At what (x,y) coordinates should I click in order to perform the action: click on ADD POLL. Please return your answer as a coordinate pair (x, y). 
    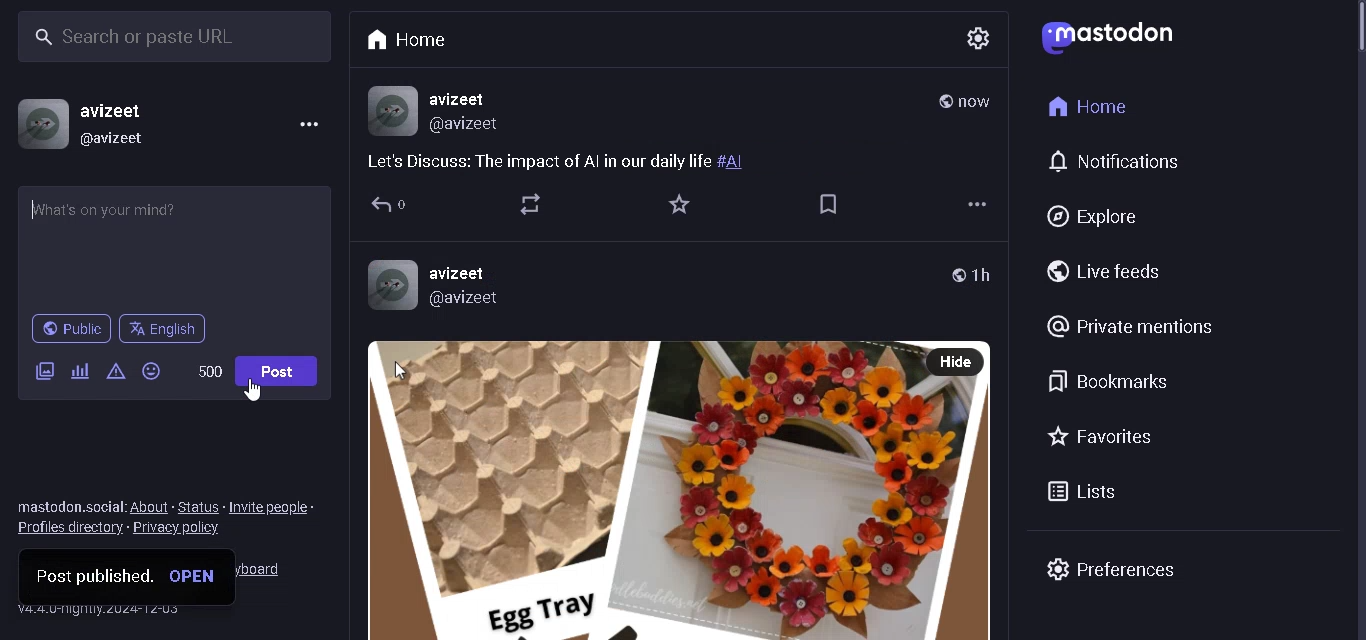
    Looking at the image, I should click on (79, 372).